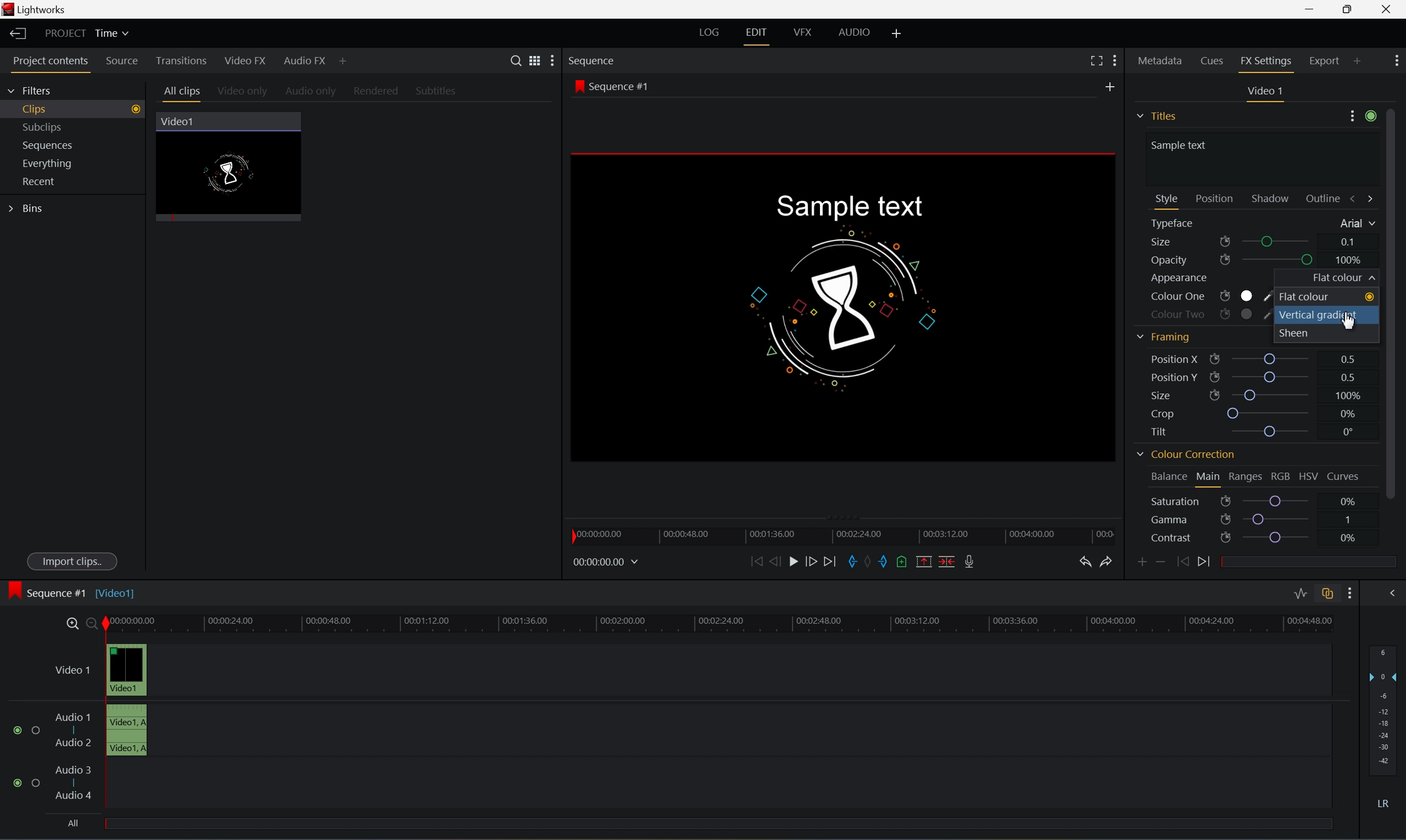 Image resolution: width=1406 pixels, height=840 pixels. Describe the element at coordinates (1280, 260) in the screenshot. I see `slider` at that location.